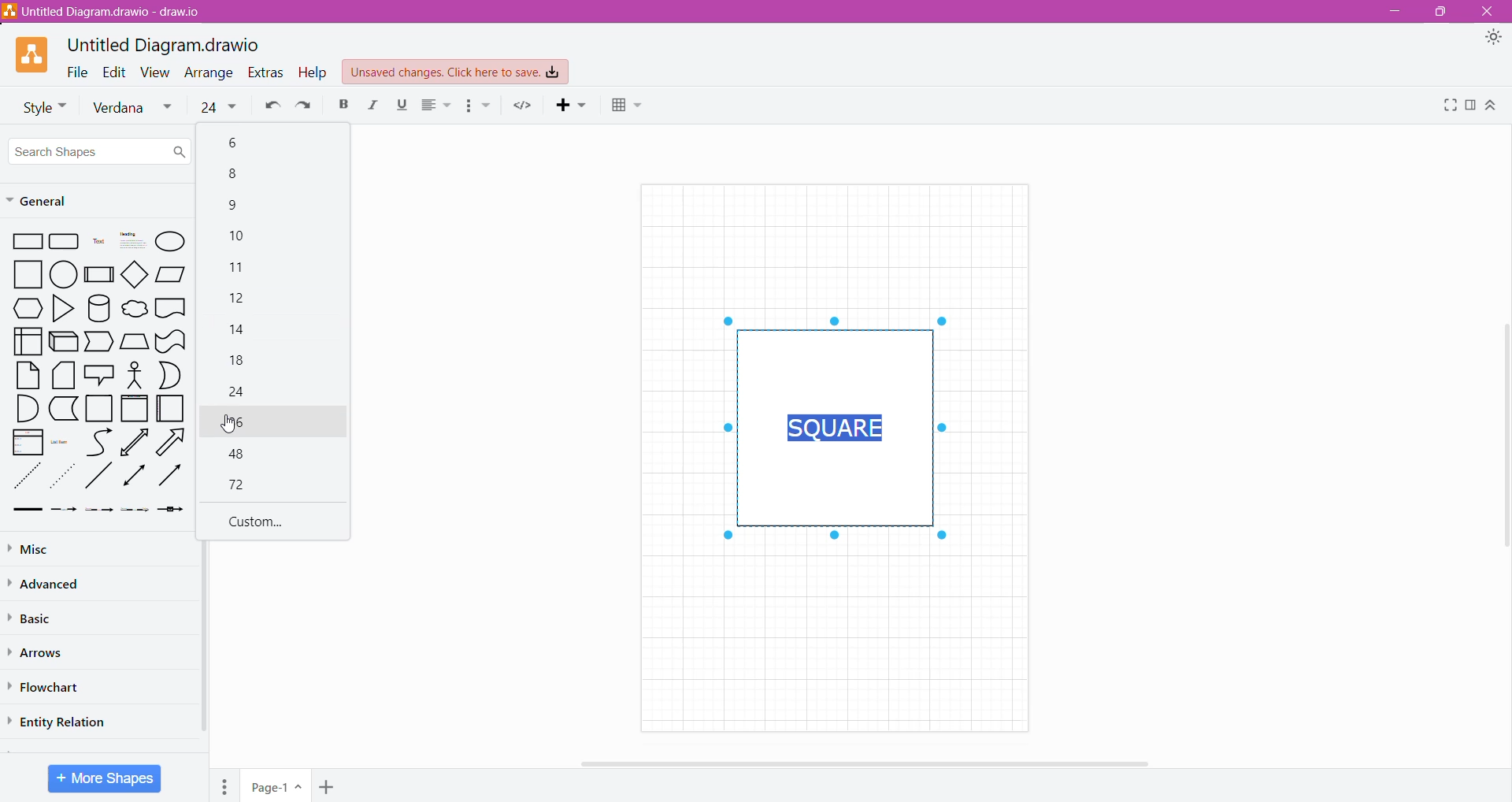 The width and height of the screenshot is (1512, 802). I want to click on 26, so click(274, 423).